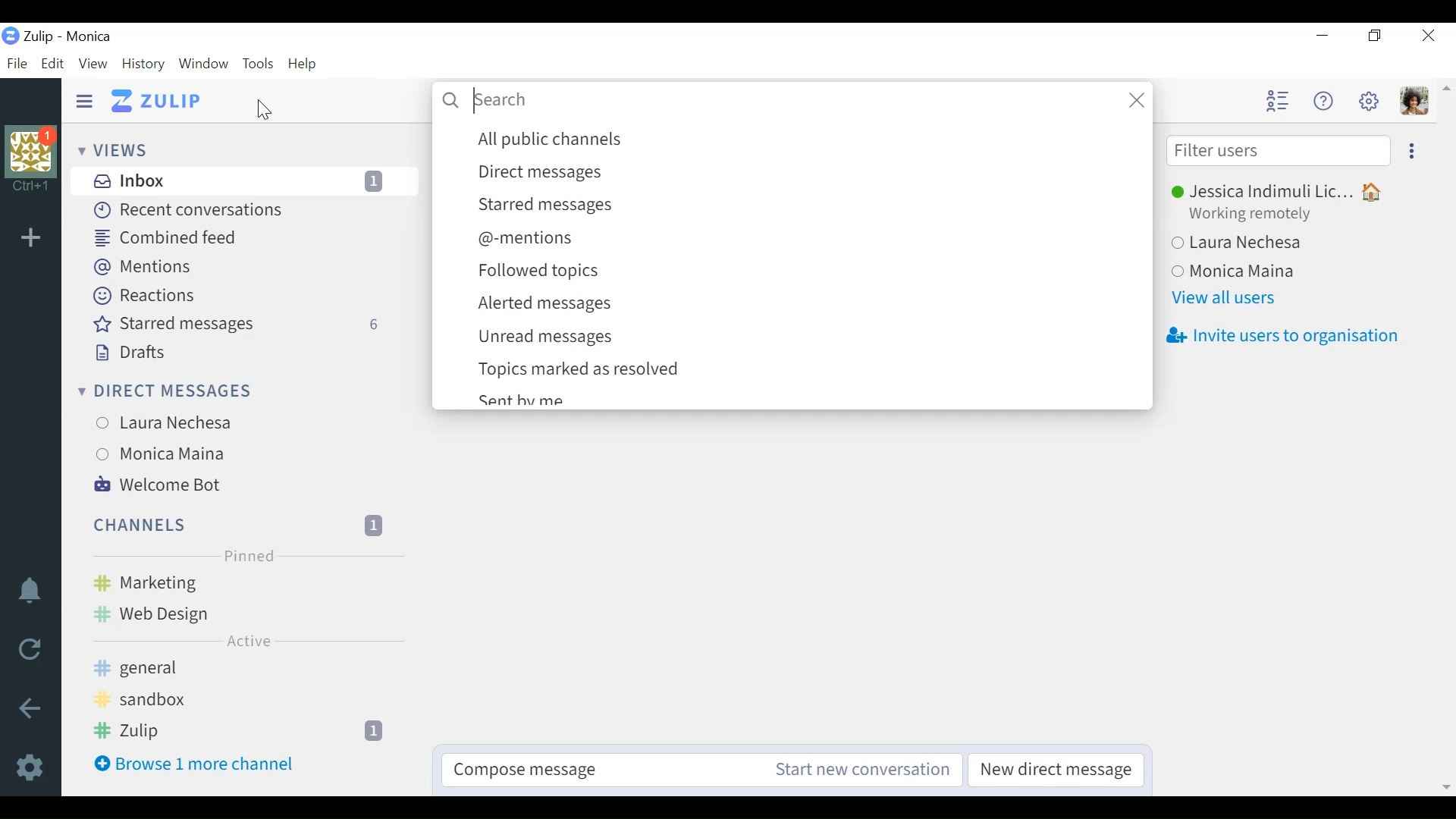 This screenshot has height=819, width=1456. Describe the element at coordinates (20, 64) in the screenshot. I see `File` at that location.